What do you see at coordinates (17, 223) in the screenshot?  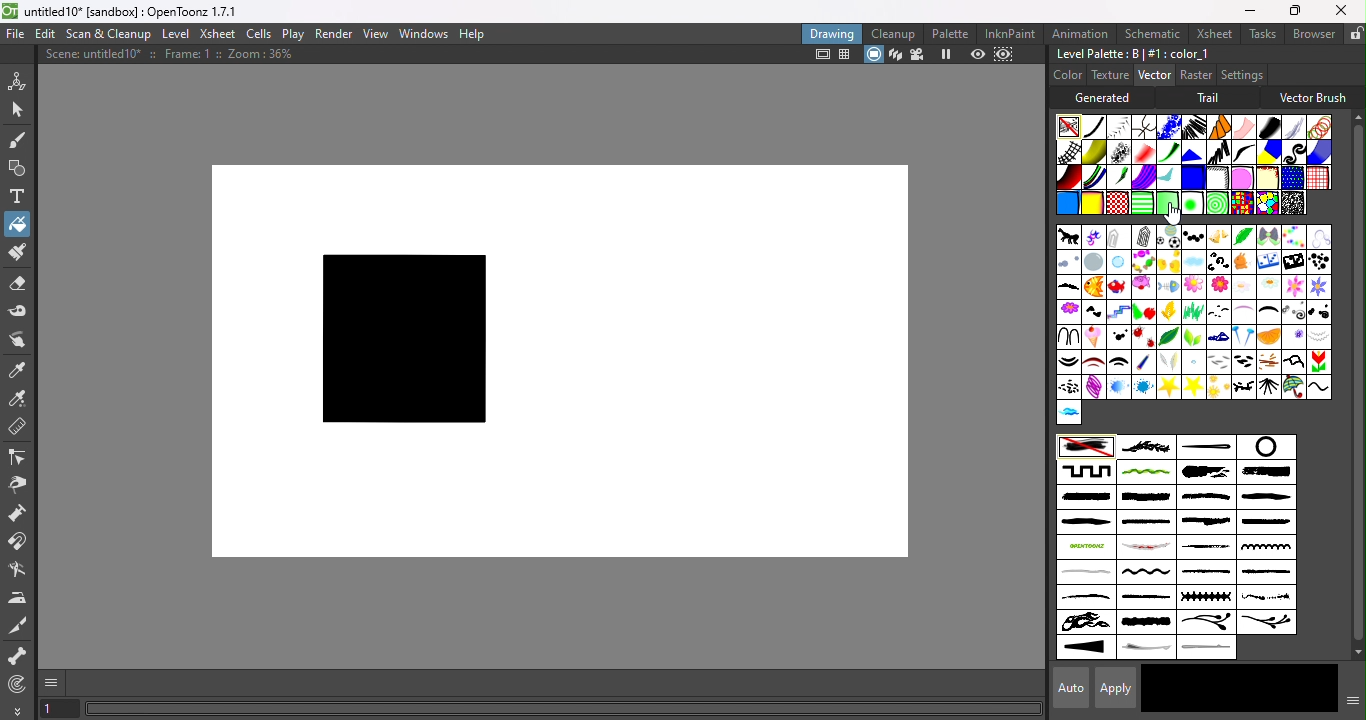 I see `Fill tool` at bounding box center [17, 223].